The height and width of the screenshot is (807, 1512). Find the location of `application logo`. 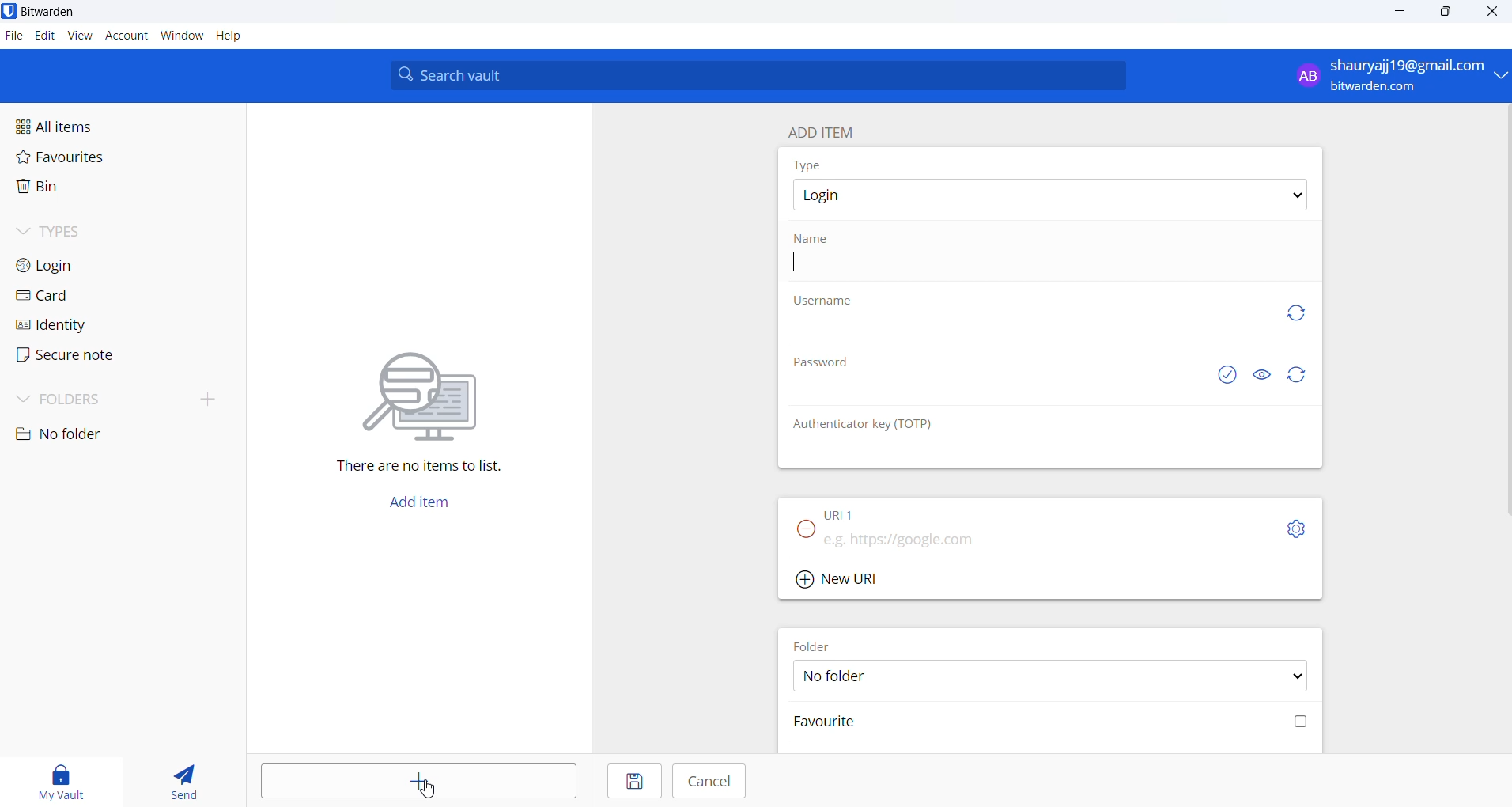

application logo is located at coordinates (10, 11).